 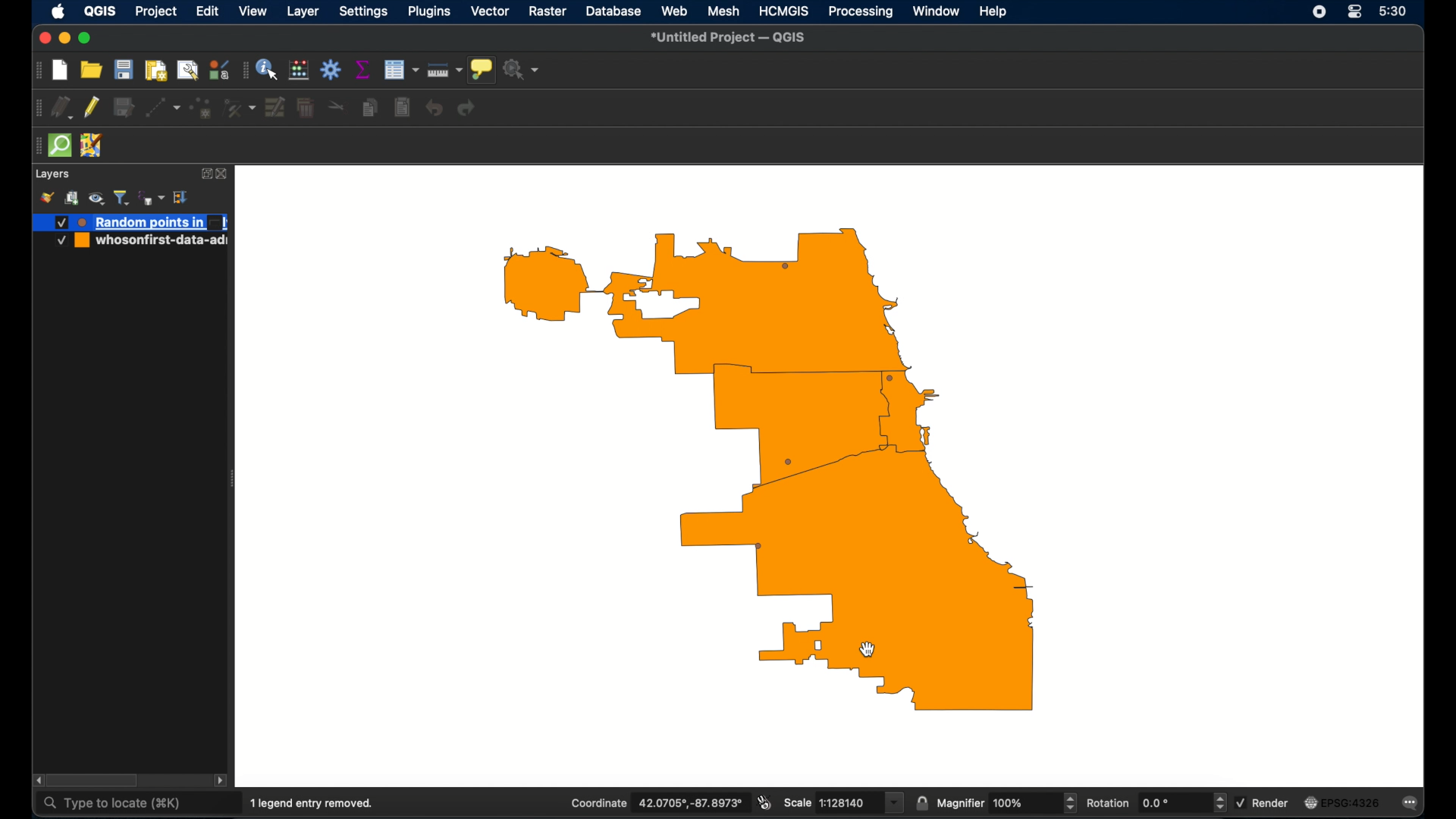 What do you see at coordinates (892, 379) in the screenshot?
I see `random point` at bounding box center [892, 379].